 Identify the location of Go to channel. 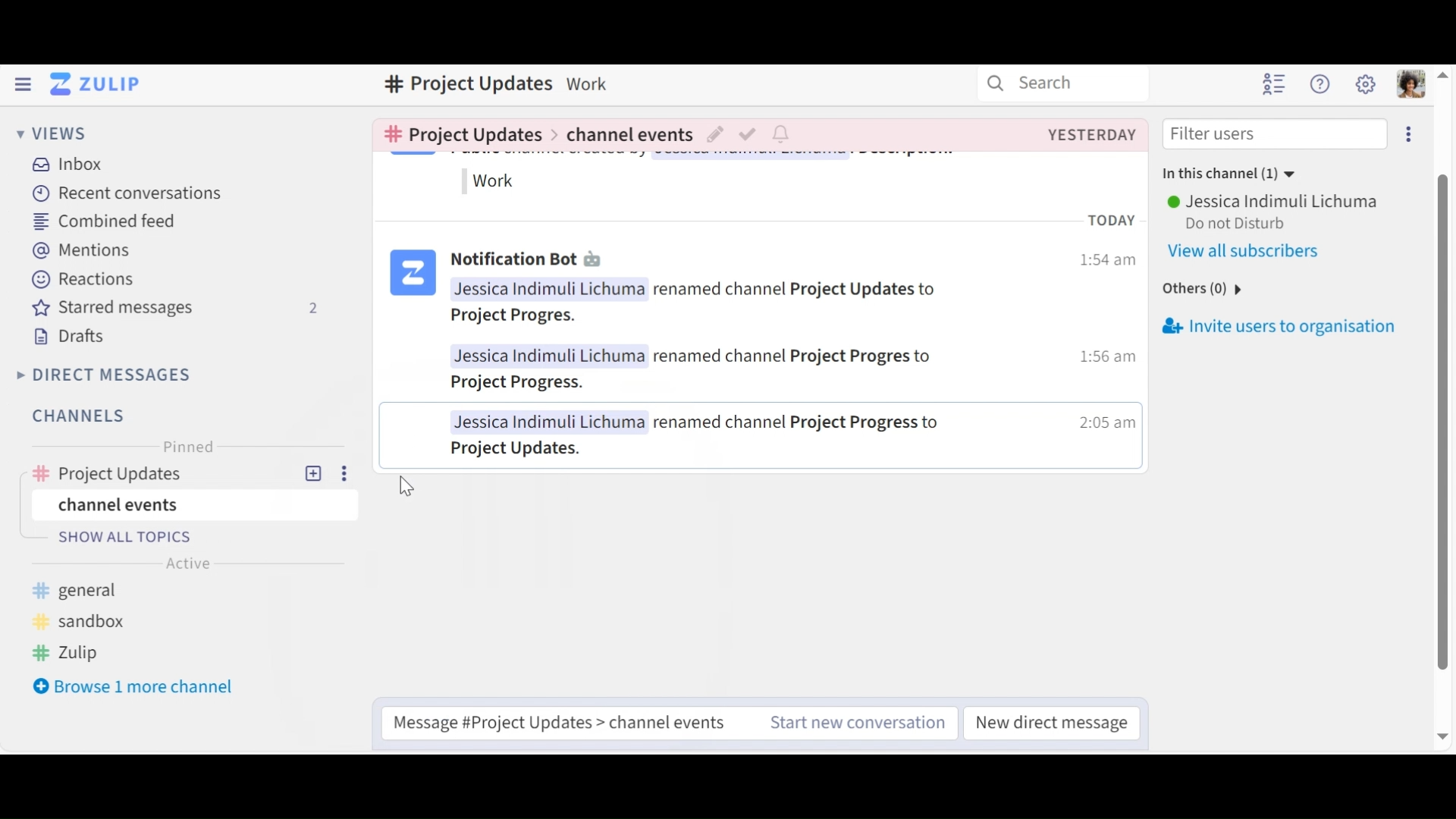
(459, 133).